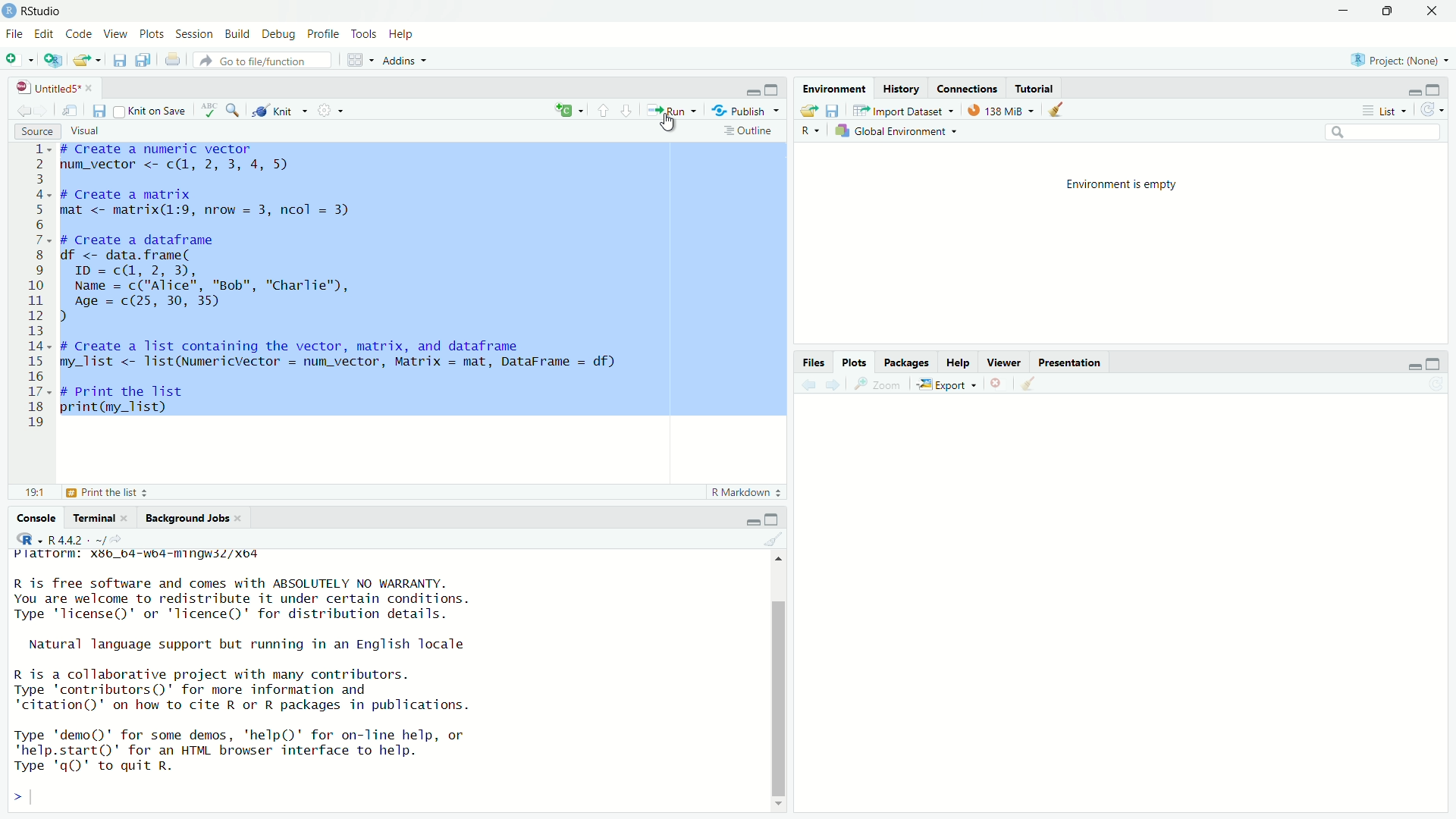 The height and width of the screenshot is (819, 1456). Describe the element at coordinates (20, 62) in the screenshot. I see `add` at that location.